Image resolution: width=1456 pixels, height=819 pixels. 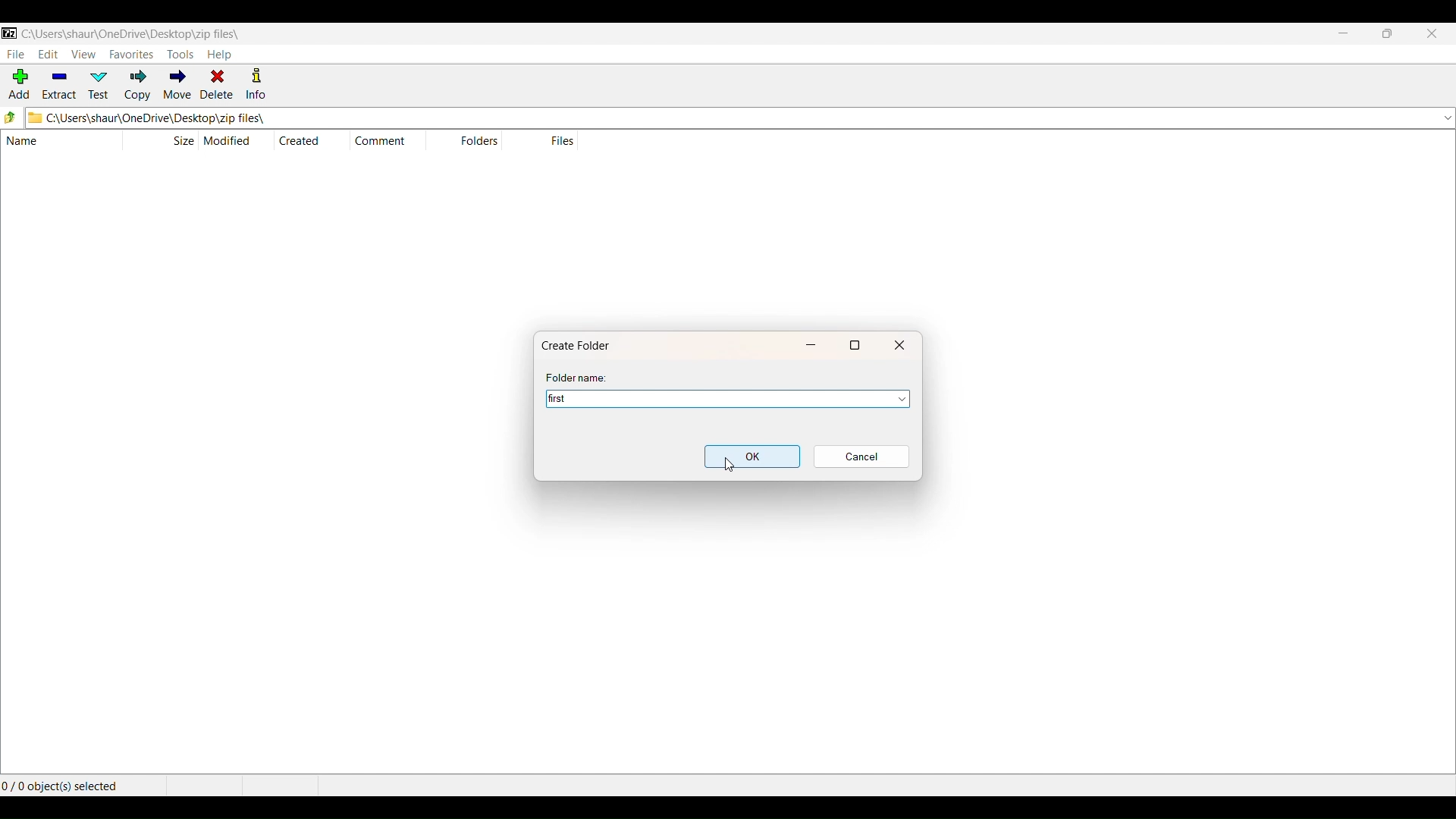 What do you see at coordinates (1431, 35) in the screenshot?
I see `CLOSE` at bounding box center [1431, 35].